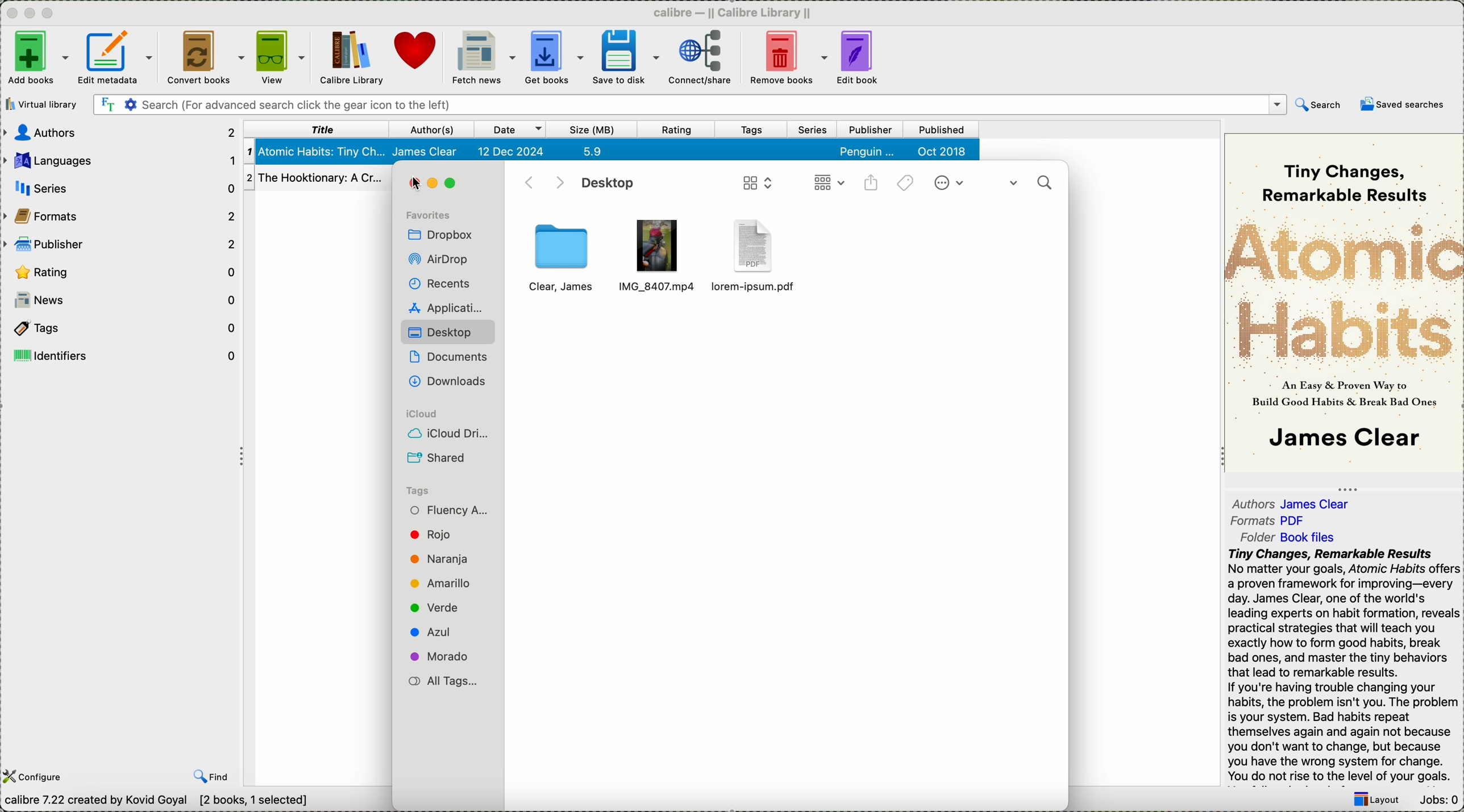  What do you see at coordinates (120, 160) in the screenshot?
I see `languages` at bounding box center [120, 160].